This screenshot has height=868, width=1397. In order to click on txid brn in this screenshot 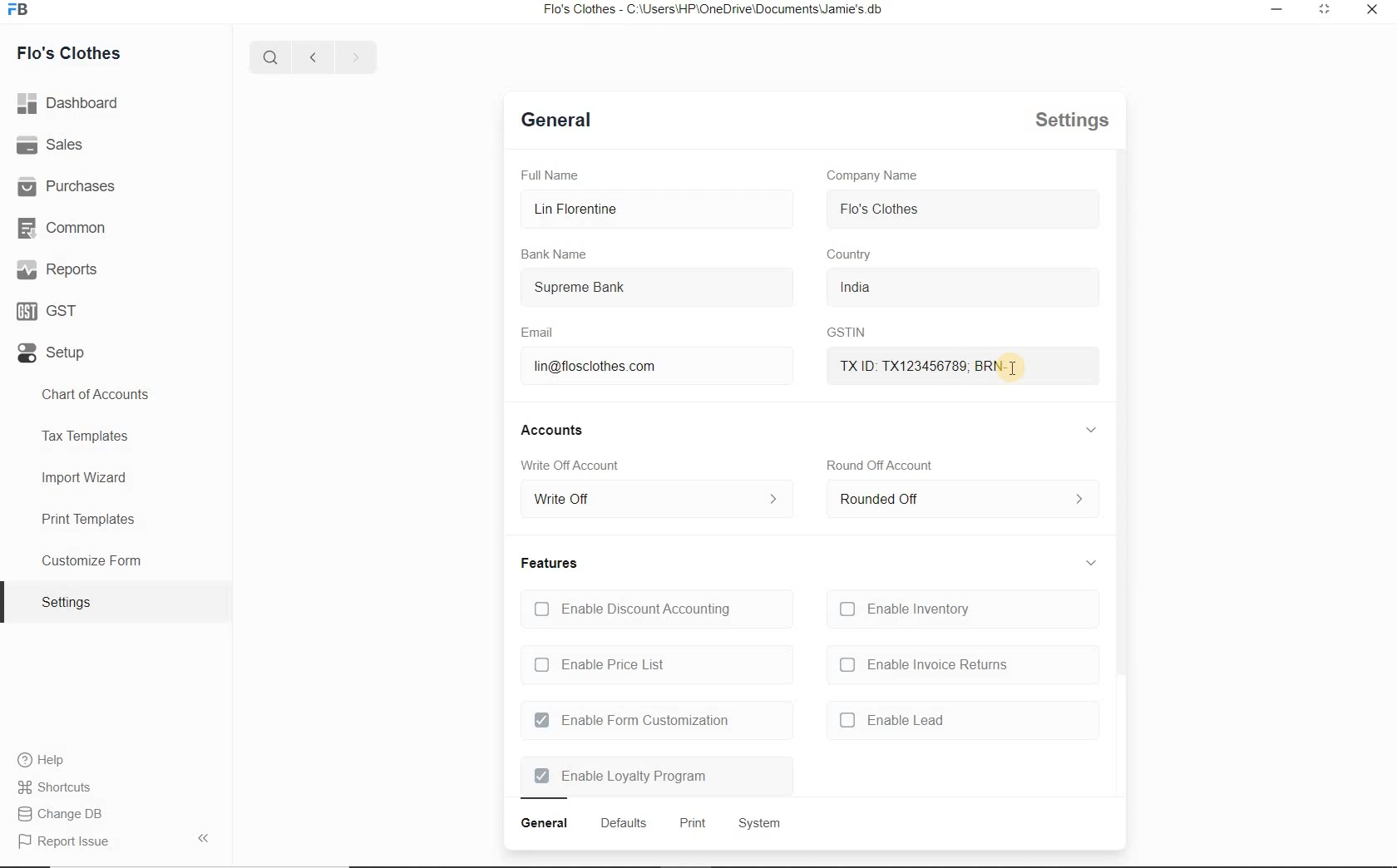, I will do `click(949, 364)`.